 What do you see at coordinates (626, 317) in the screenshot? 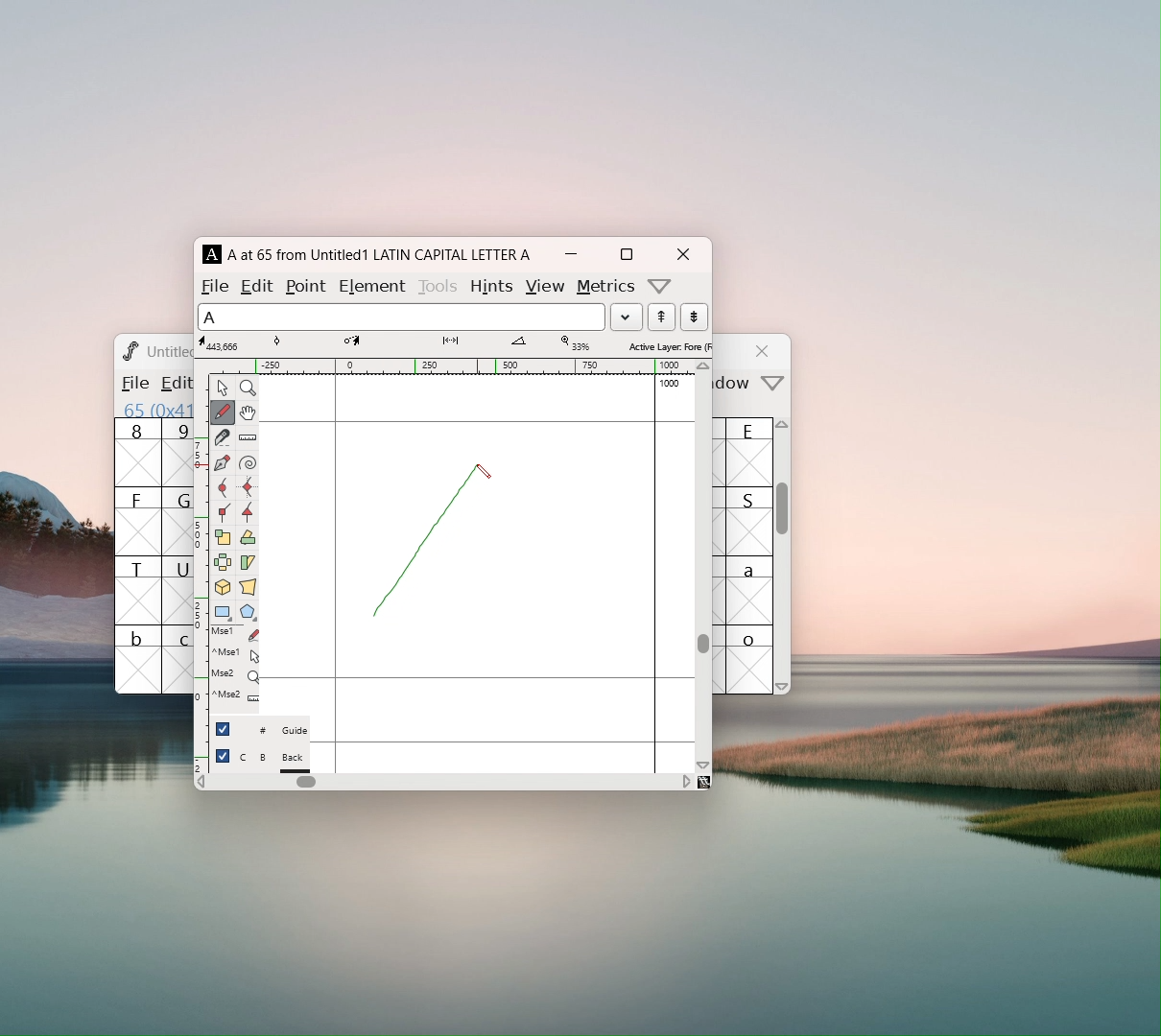
I see `load word list` at bounding box center [626, 317].